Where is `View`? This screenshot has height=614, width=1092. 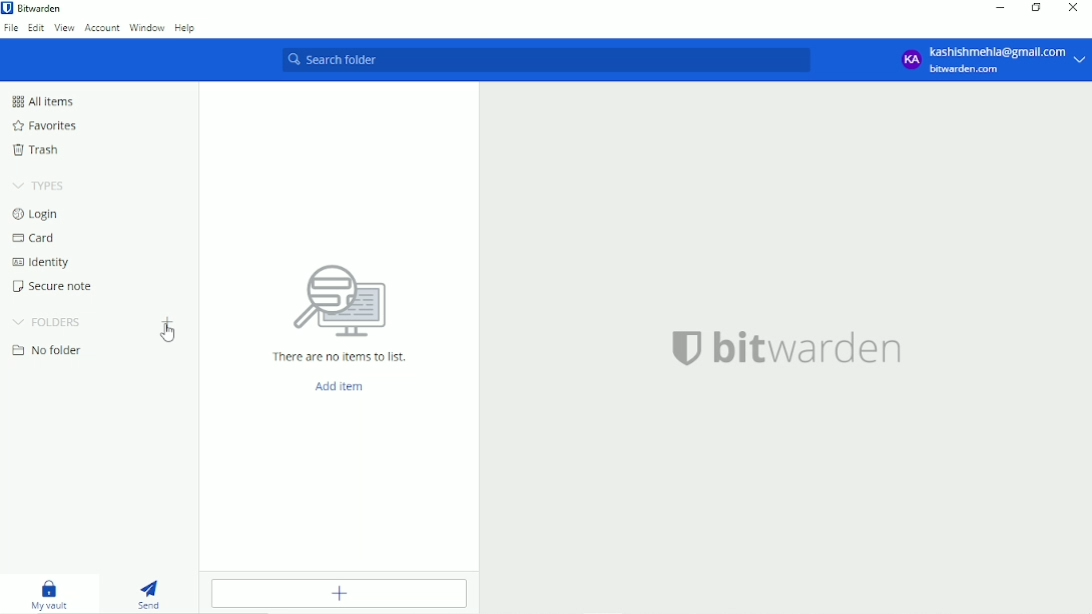 View is located at coordinates (64, 28).